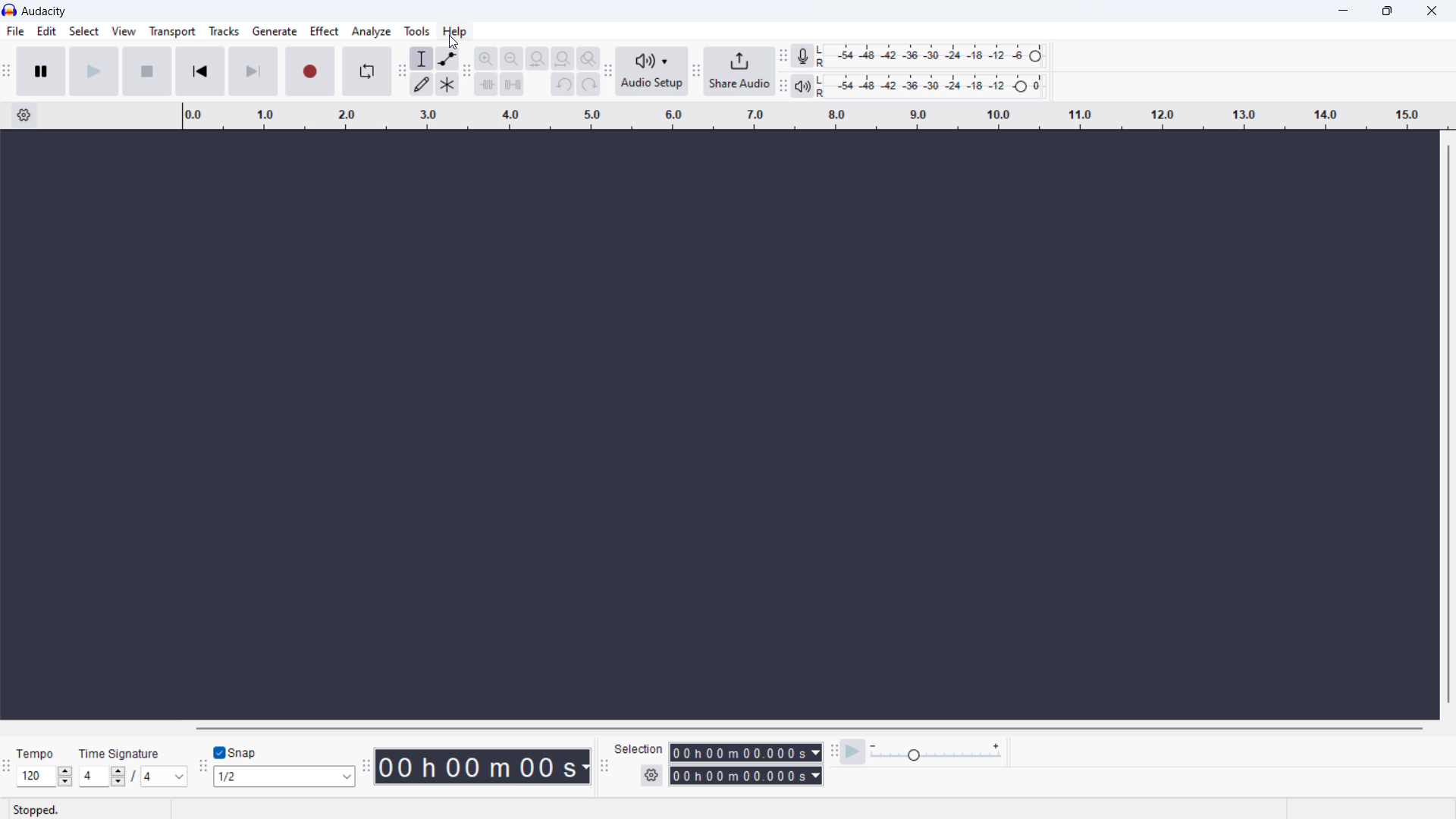 Image resolution: width=1456 pixels, height=819 pixels. Describe the element at coordinates (563, 84) in the screenshot. I see `undo` at that location.